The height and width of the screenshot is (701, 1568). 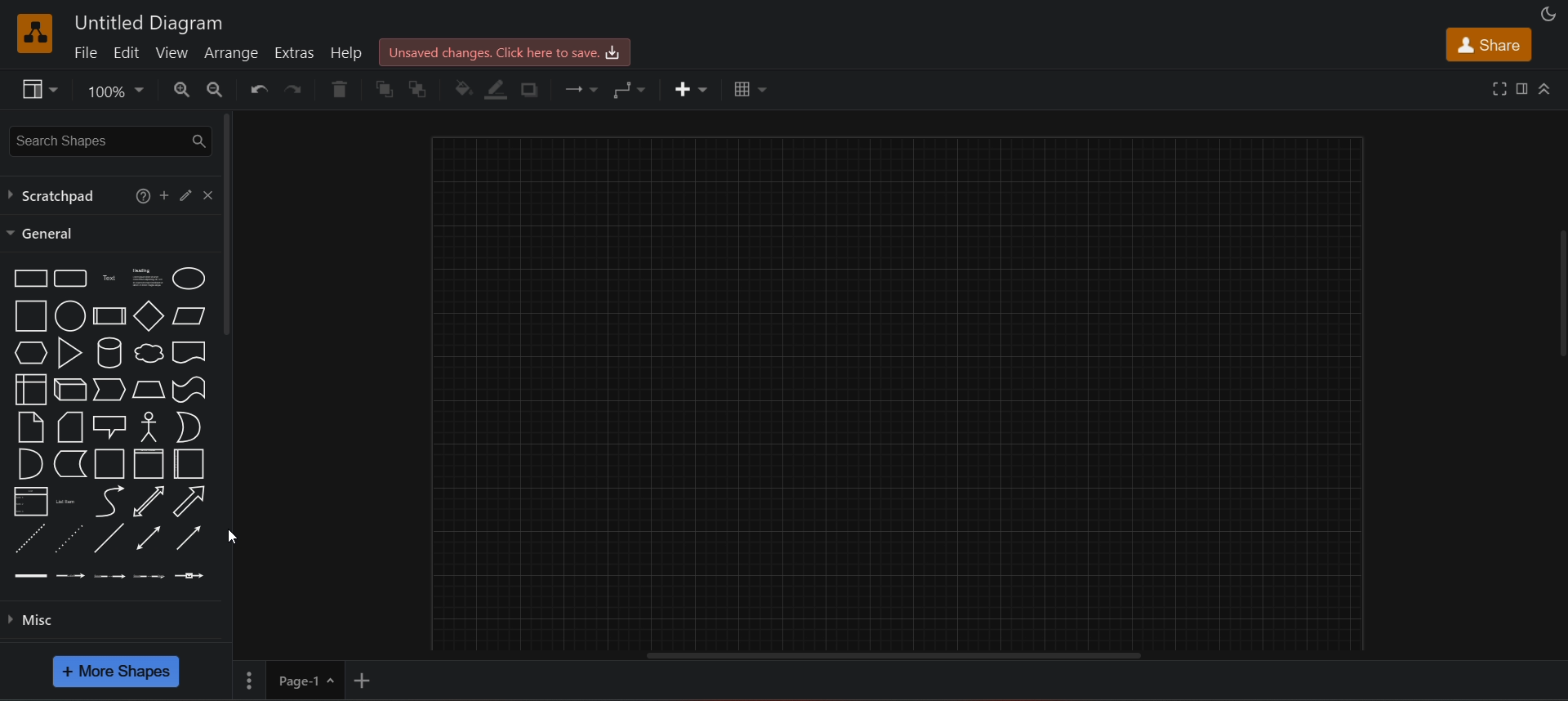 I want to click on cirsle, so click(x=69, y=315).